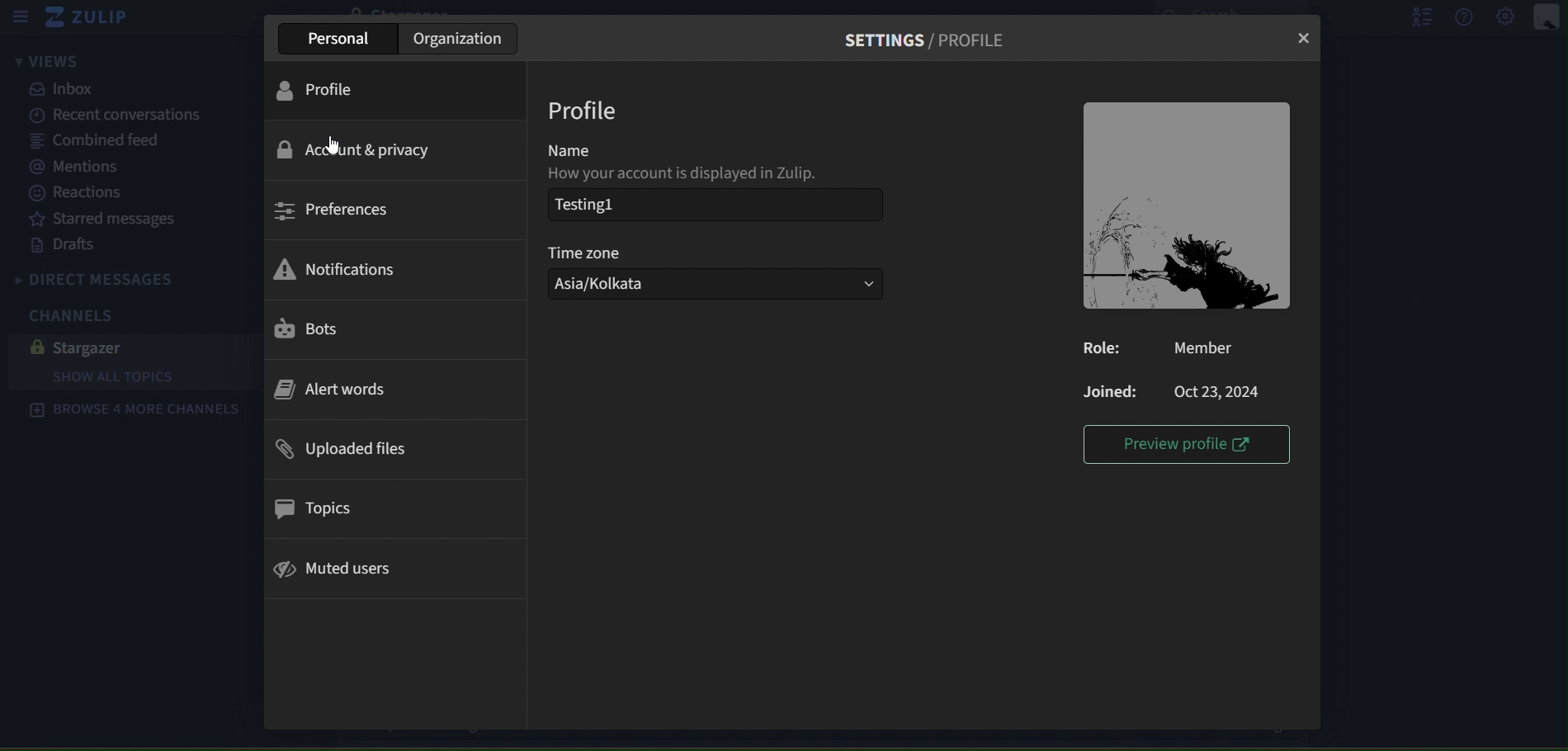  Describe the element at coordinates (334, 271) in the screenshot. I see `notifications` at that location.